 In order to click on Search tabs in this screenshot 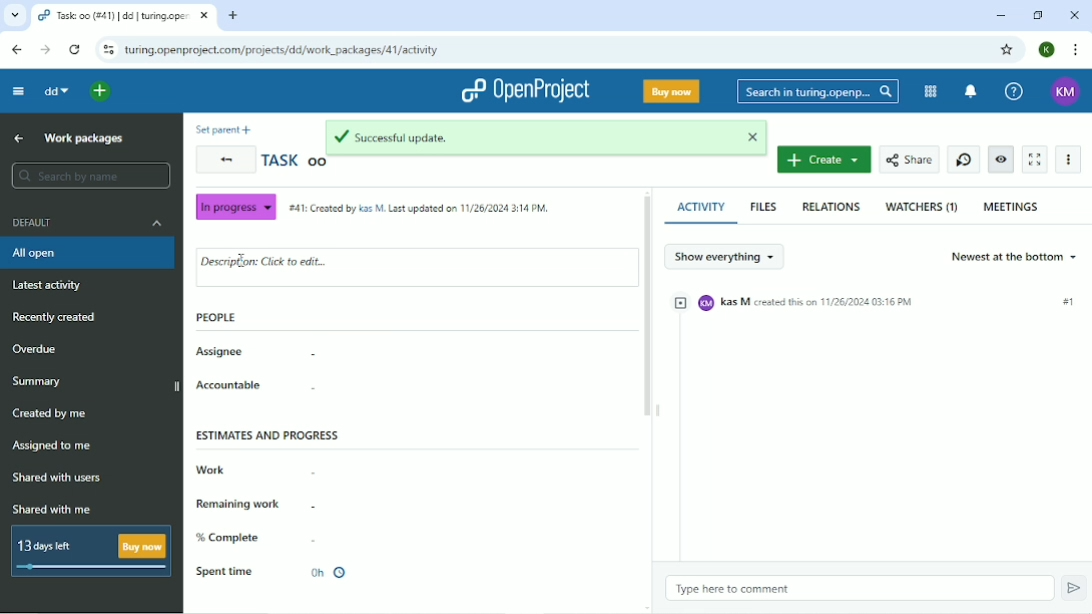, I will do `click(14, 17)`.